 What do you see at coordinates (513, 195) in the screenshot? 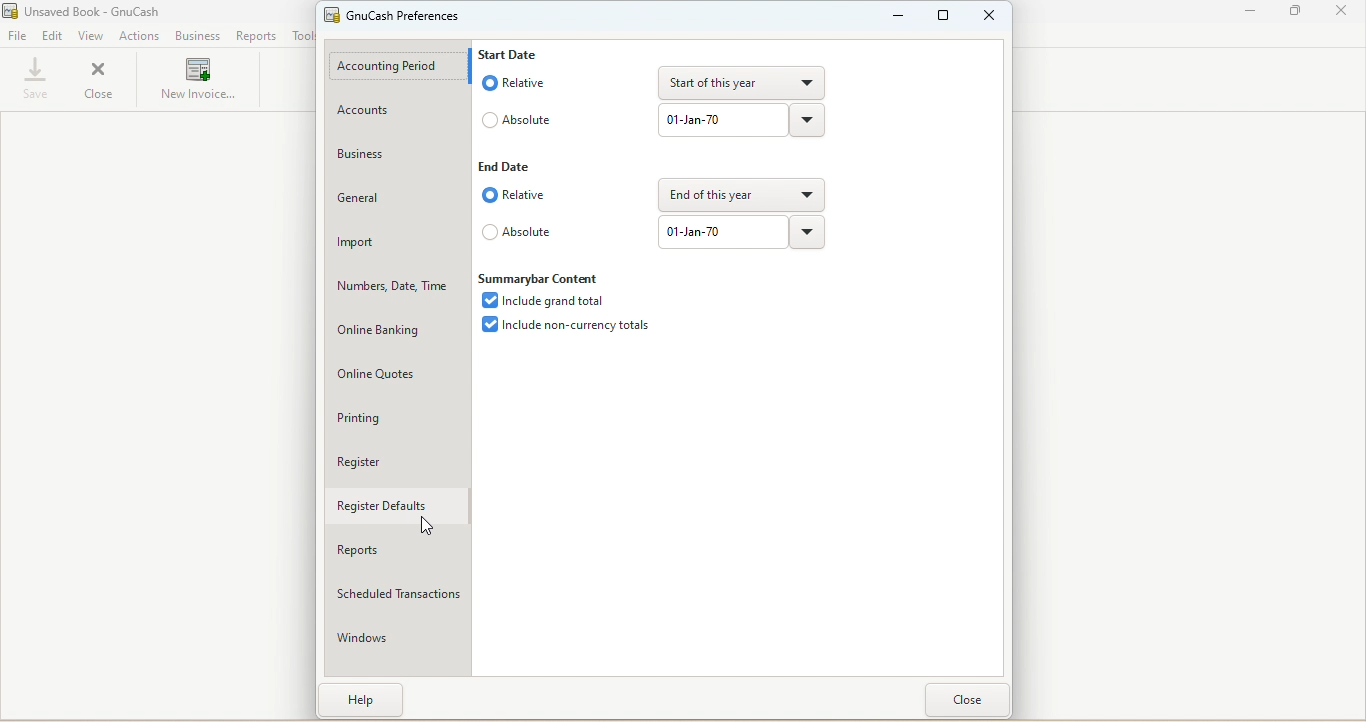
I see `Relative` at bounding box center [513, 195].